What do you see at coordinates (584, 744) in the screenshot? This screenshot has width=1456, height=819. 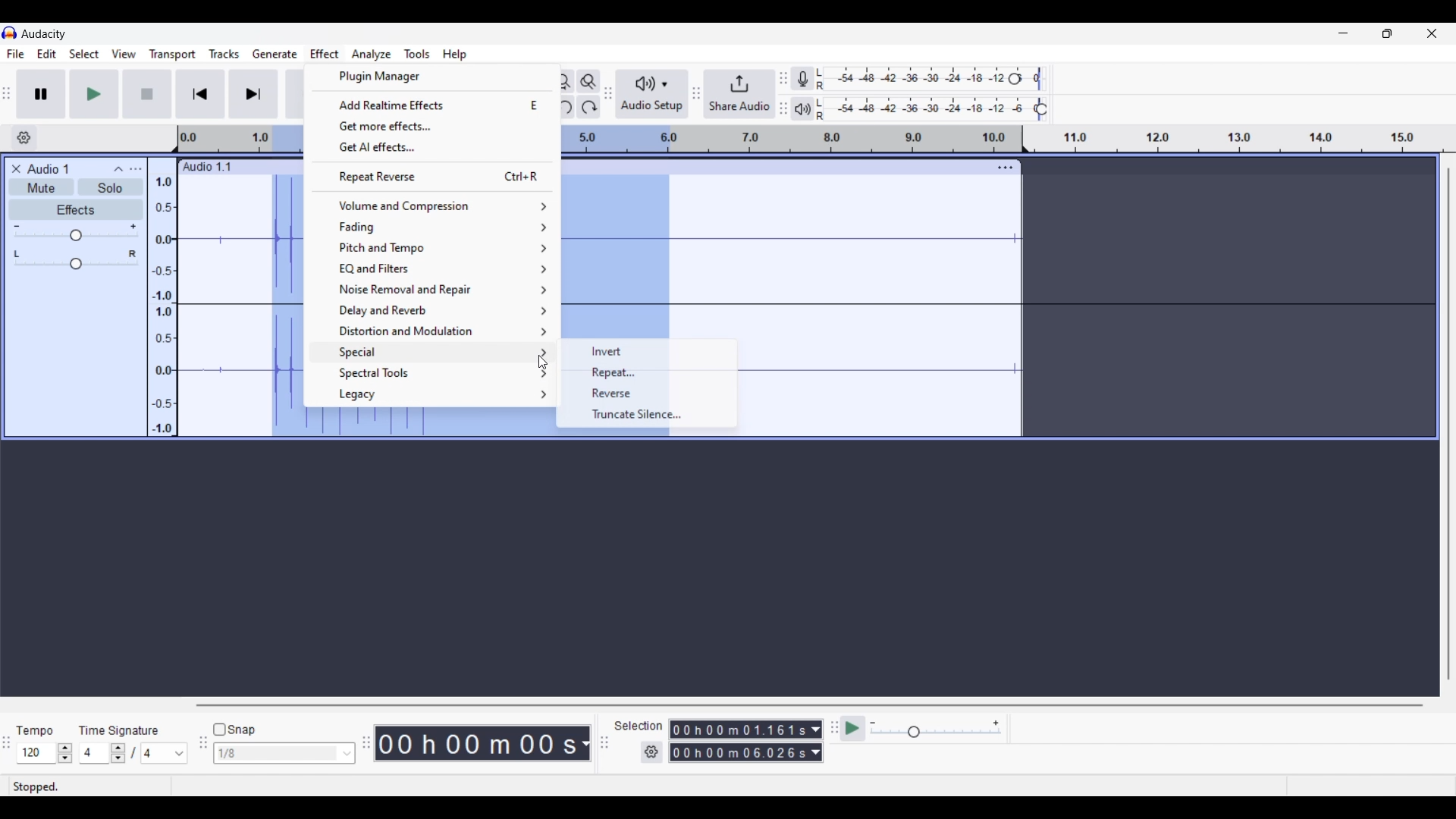 I see `Measurement options for duration` at bounding box center [584, 744].